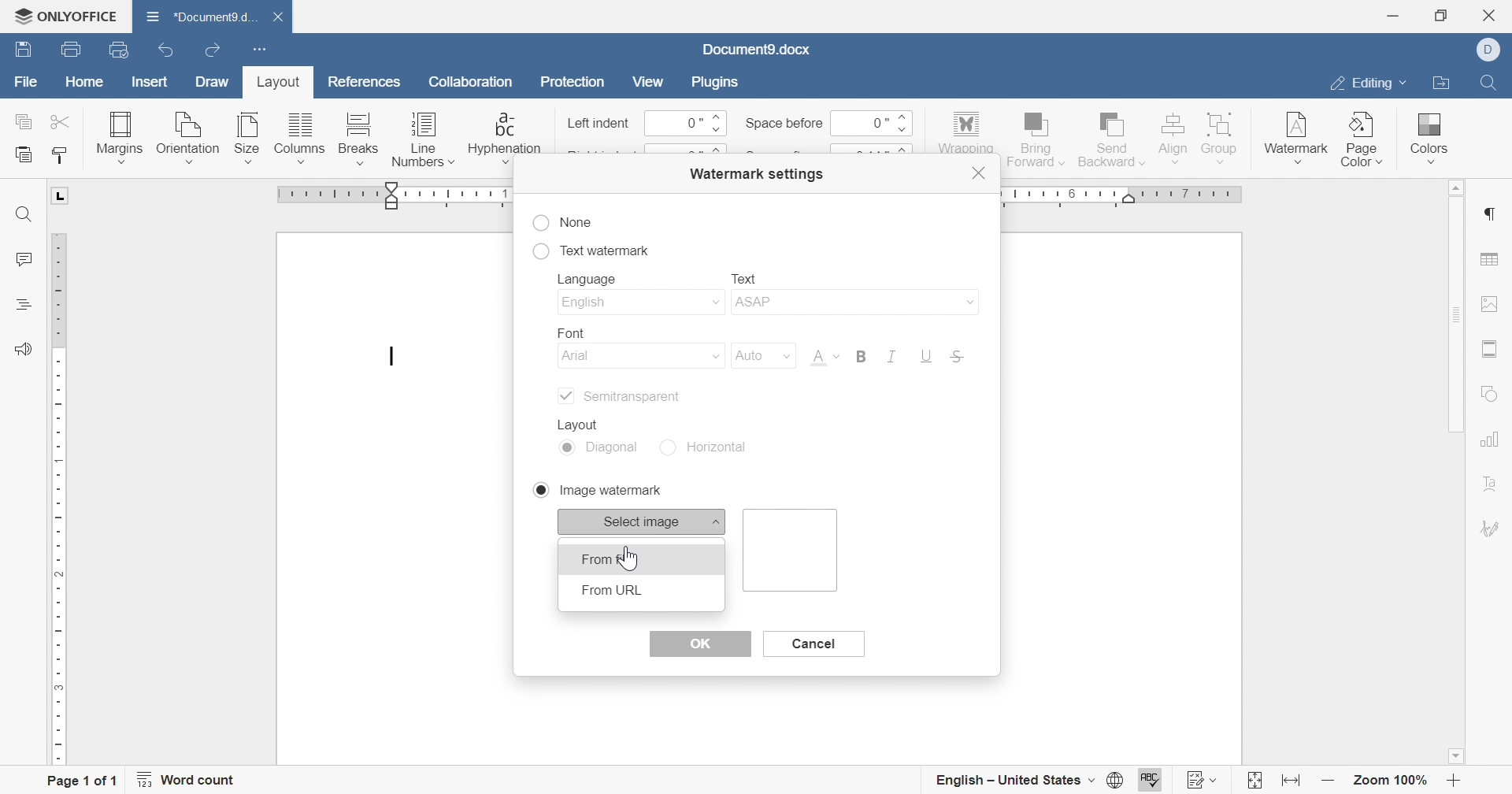 Image resolution: width=1512 pixels, height=794 pixels. Describe the element at coordinates (275, 85) in the screenshot. I see `layout` at that location.